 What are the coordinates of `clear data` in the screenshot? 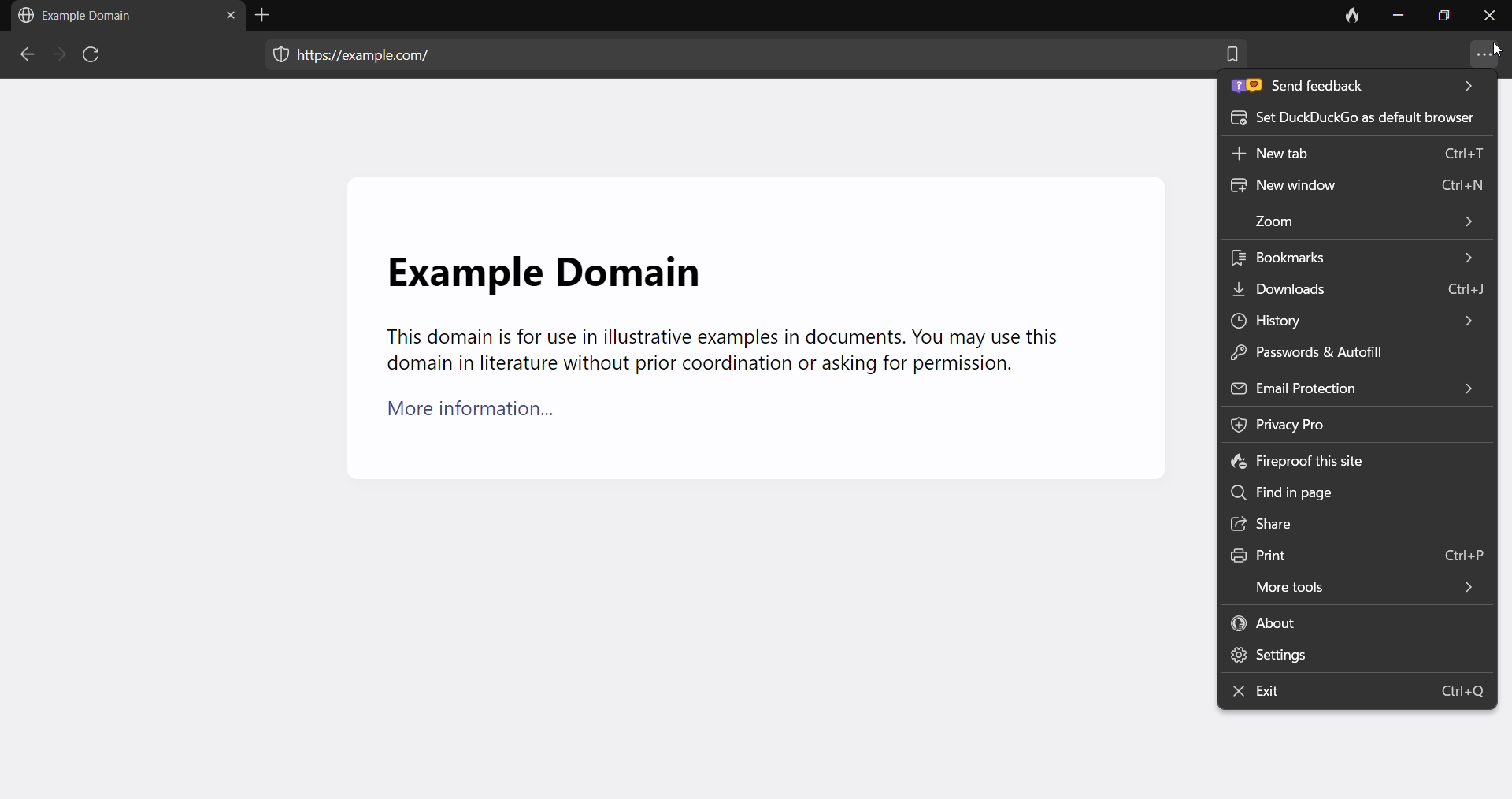 It's located at (1351, 18).